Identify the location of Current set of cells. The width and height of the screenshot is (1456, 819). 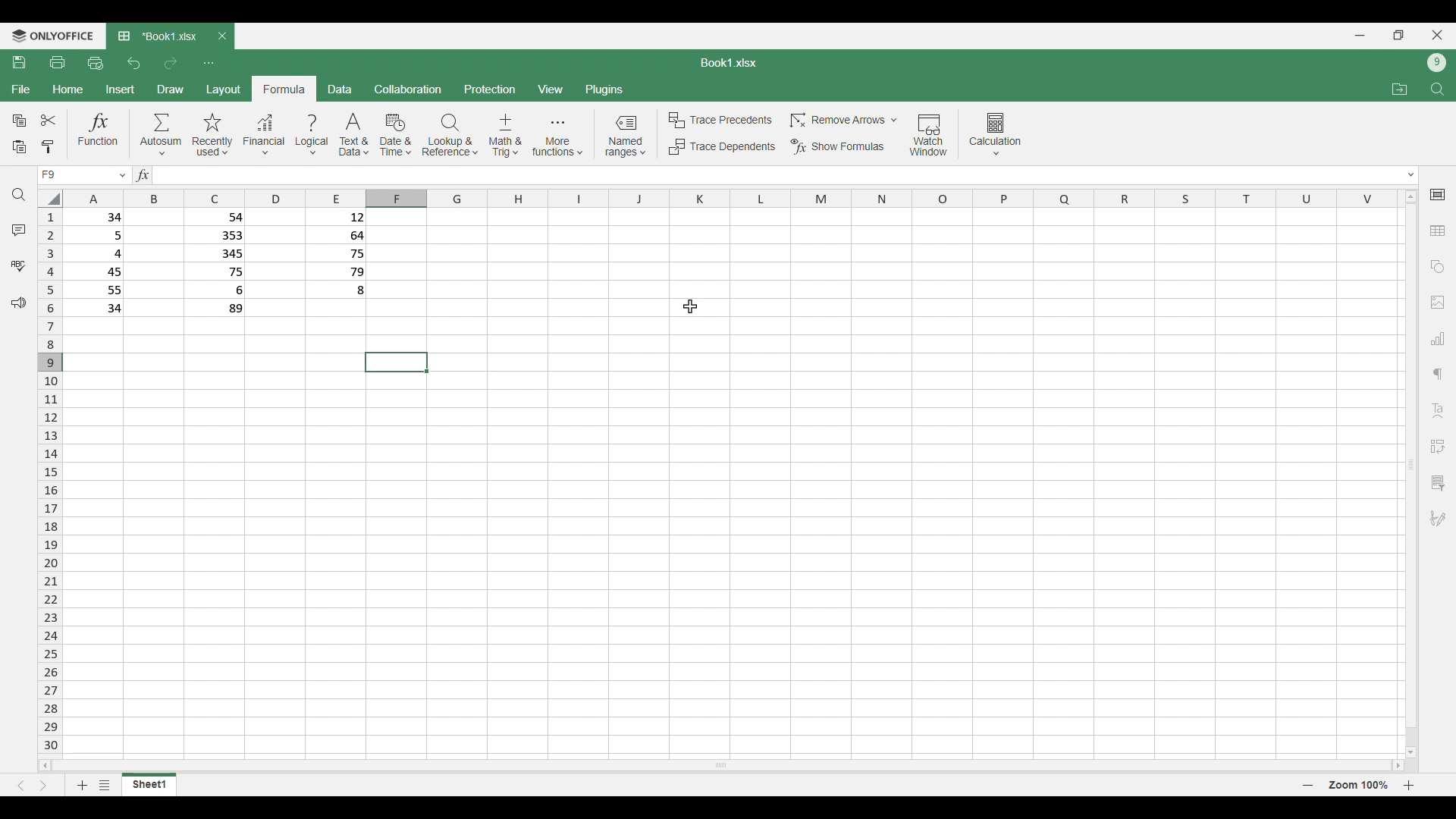
(733, 566).